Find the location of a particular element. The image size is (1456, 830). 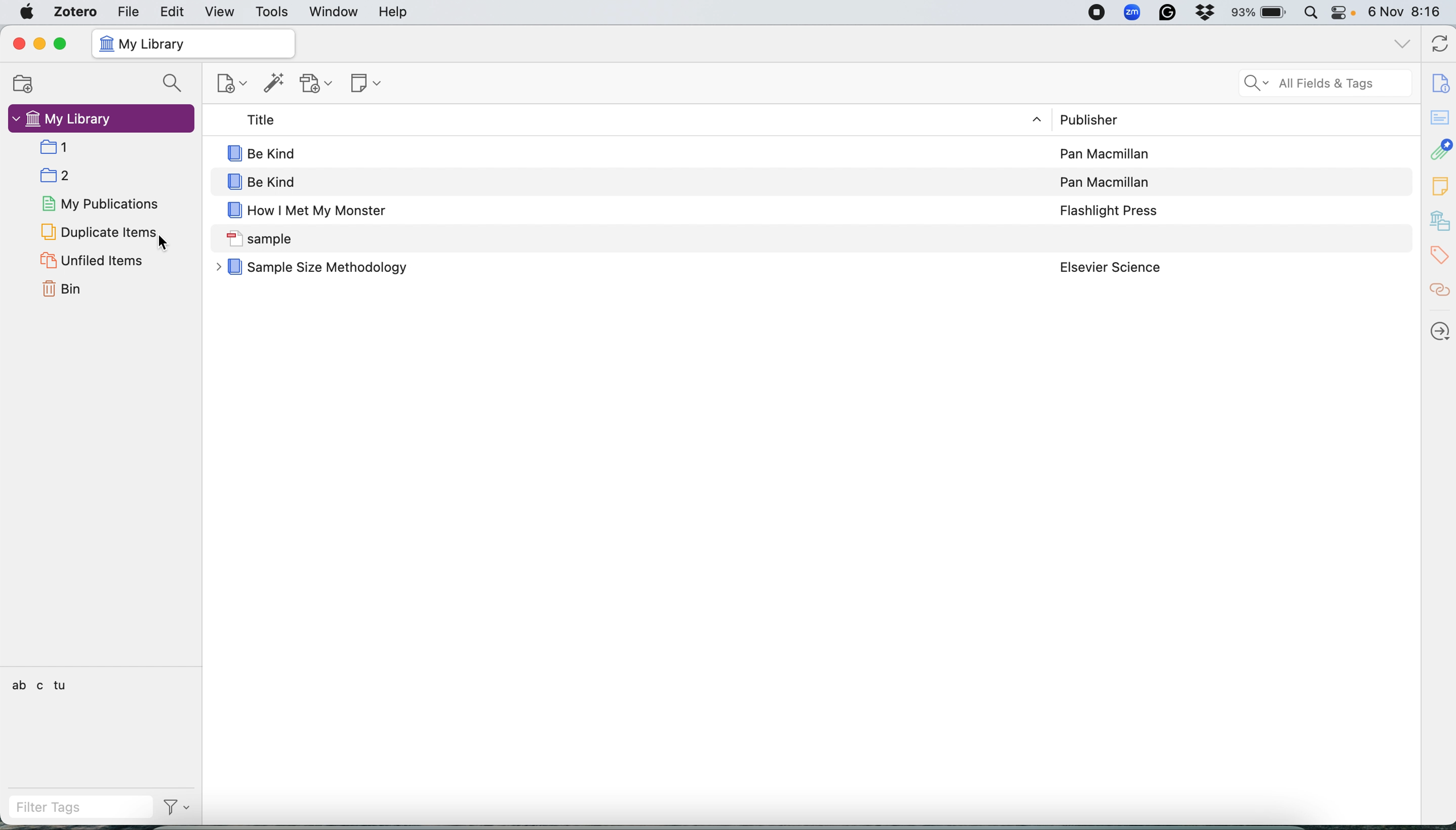

system logo is located at coordinates (27, 13).